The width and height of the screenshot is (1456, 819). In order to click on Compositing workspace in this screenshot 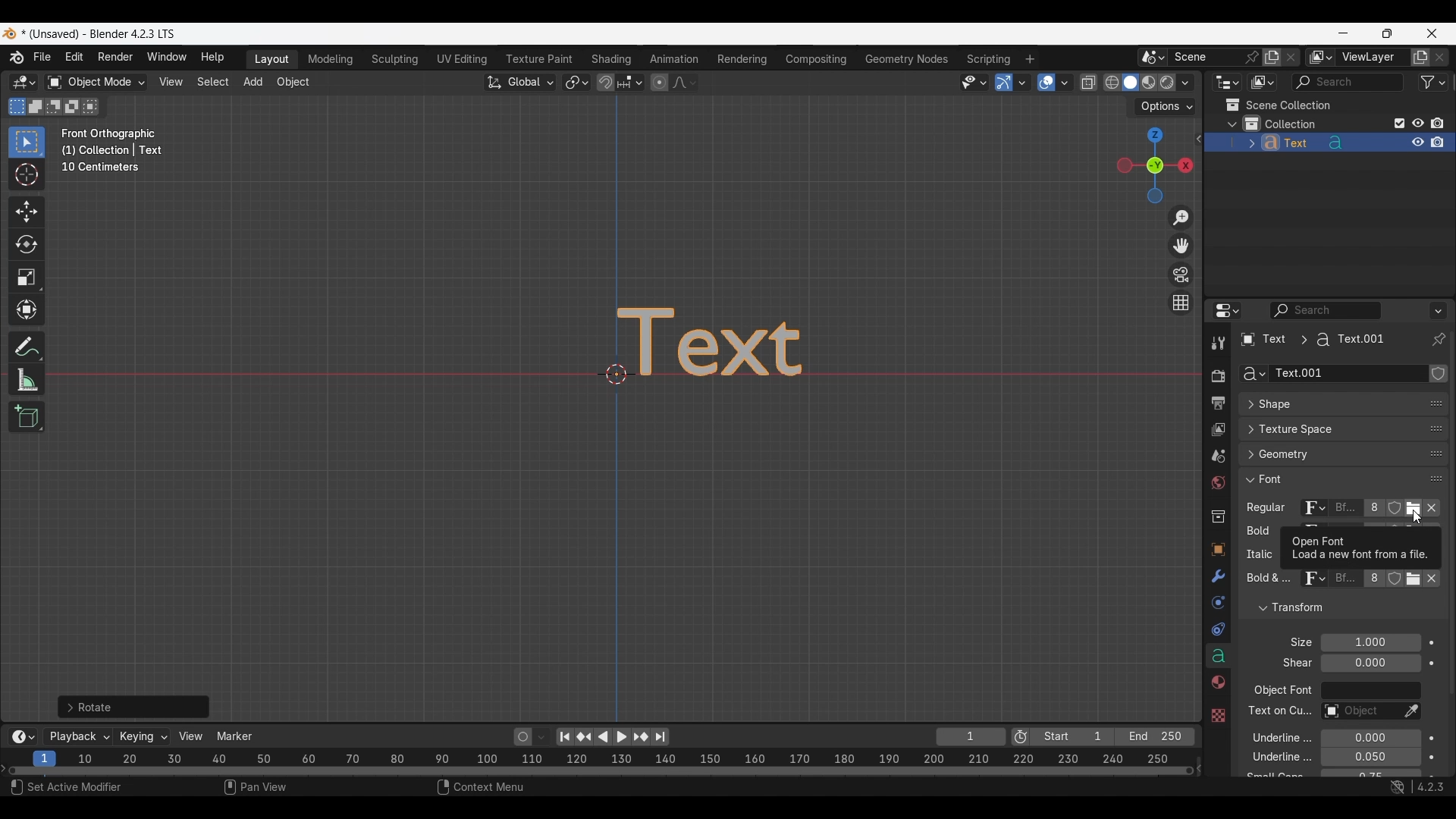, I will do `click(817, 59)`.